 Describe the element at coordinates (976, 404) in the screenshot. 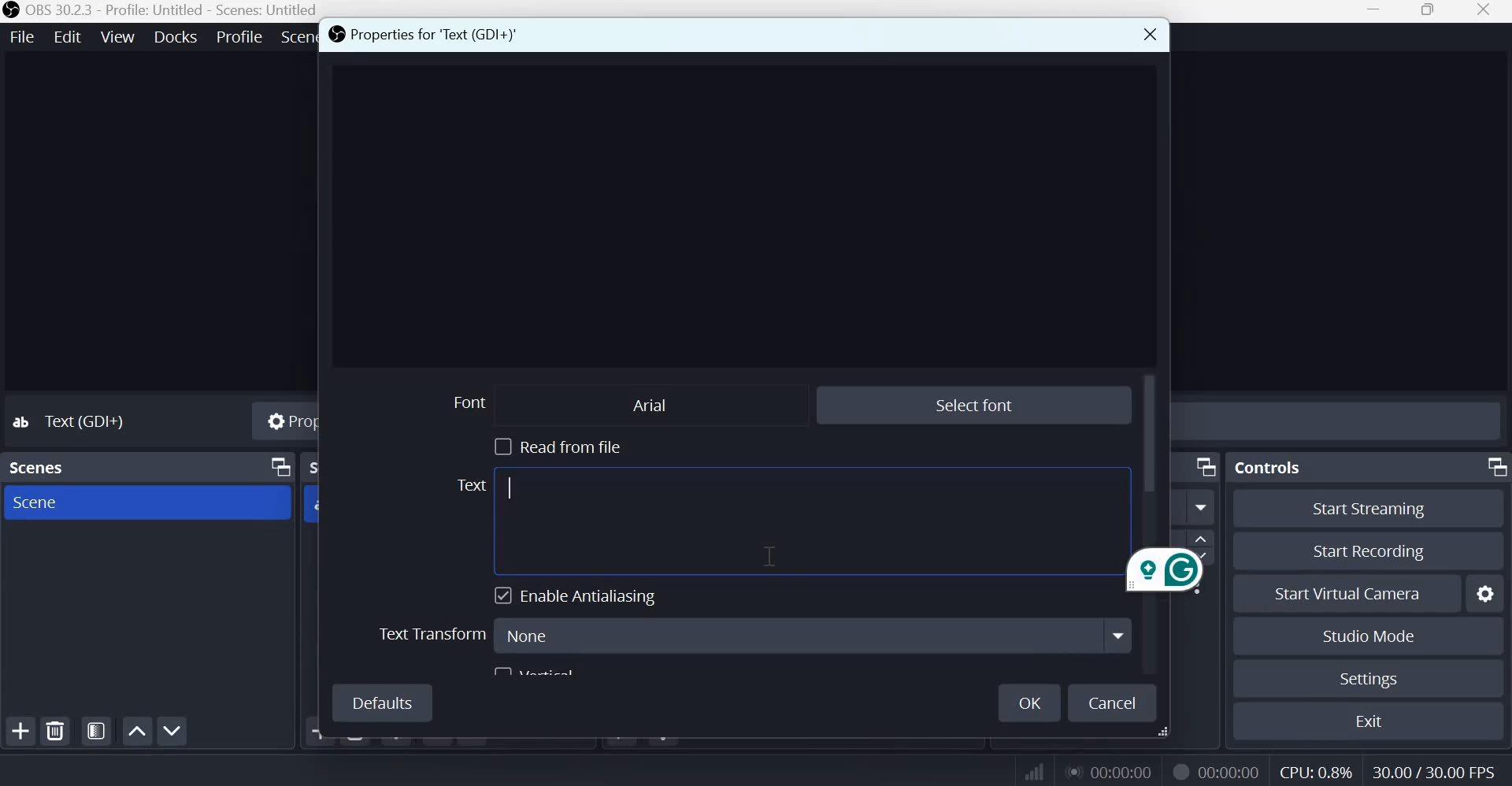

I see `Select font` at that location.